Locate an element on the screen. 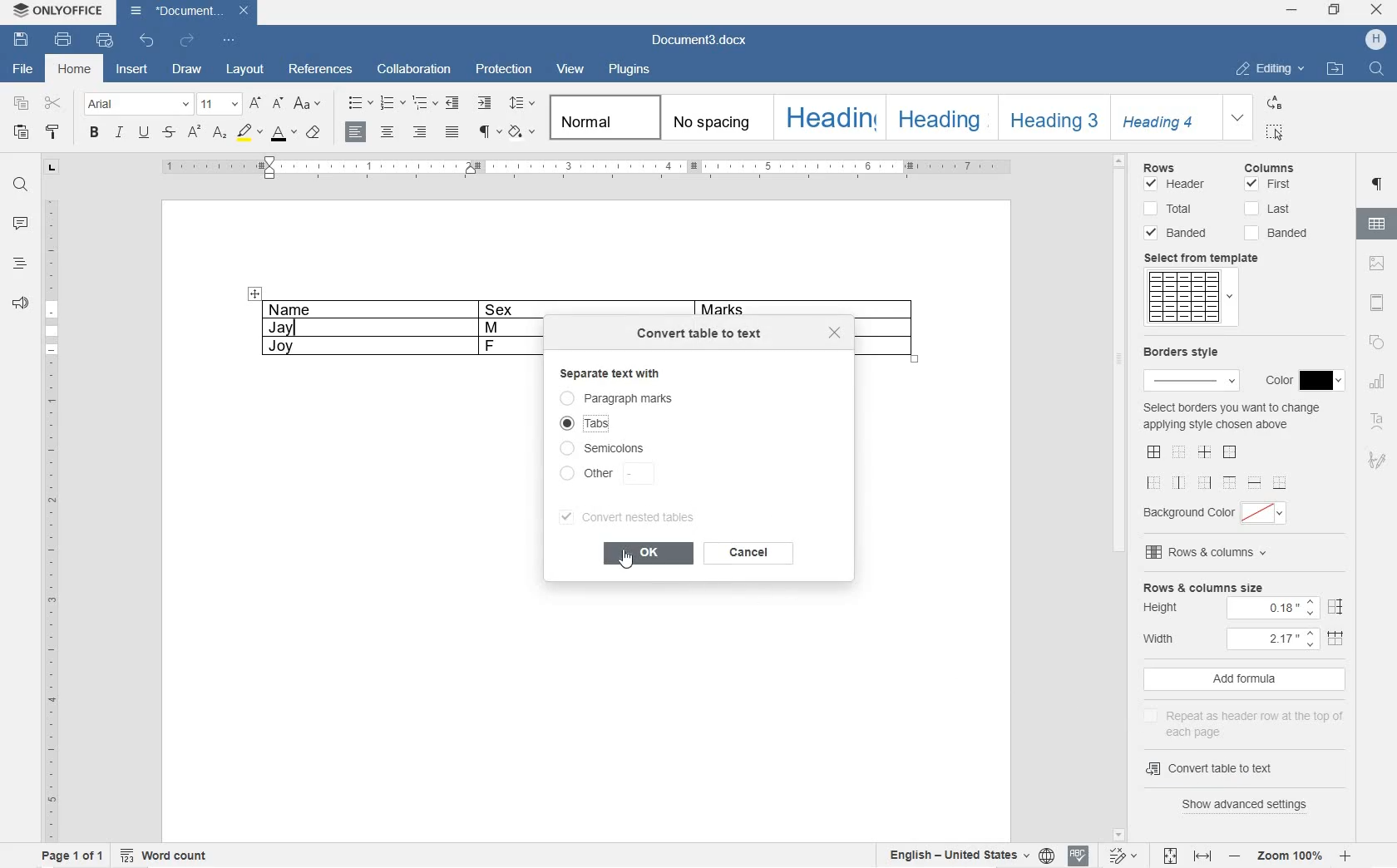 Image resolution: width=1397 pixels, height=868 pixels. TRACK CHANGES is located at coordinates (1123, 855).